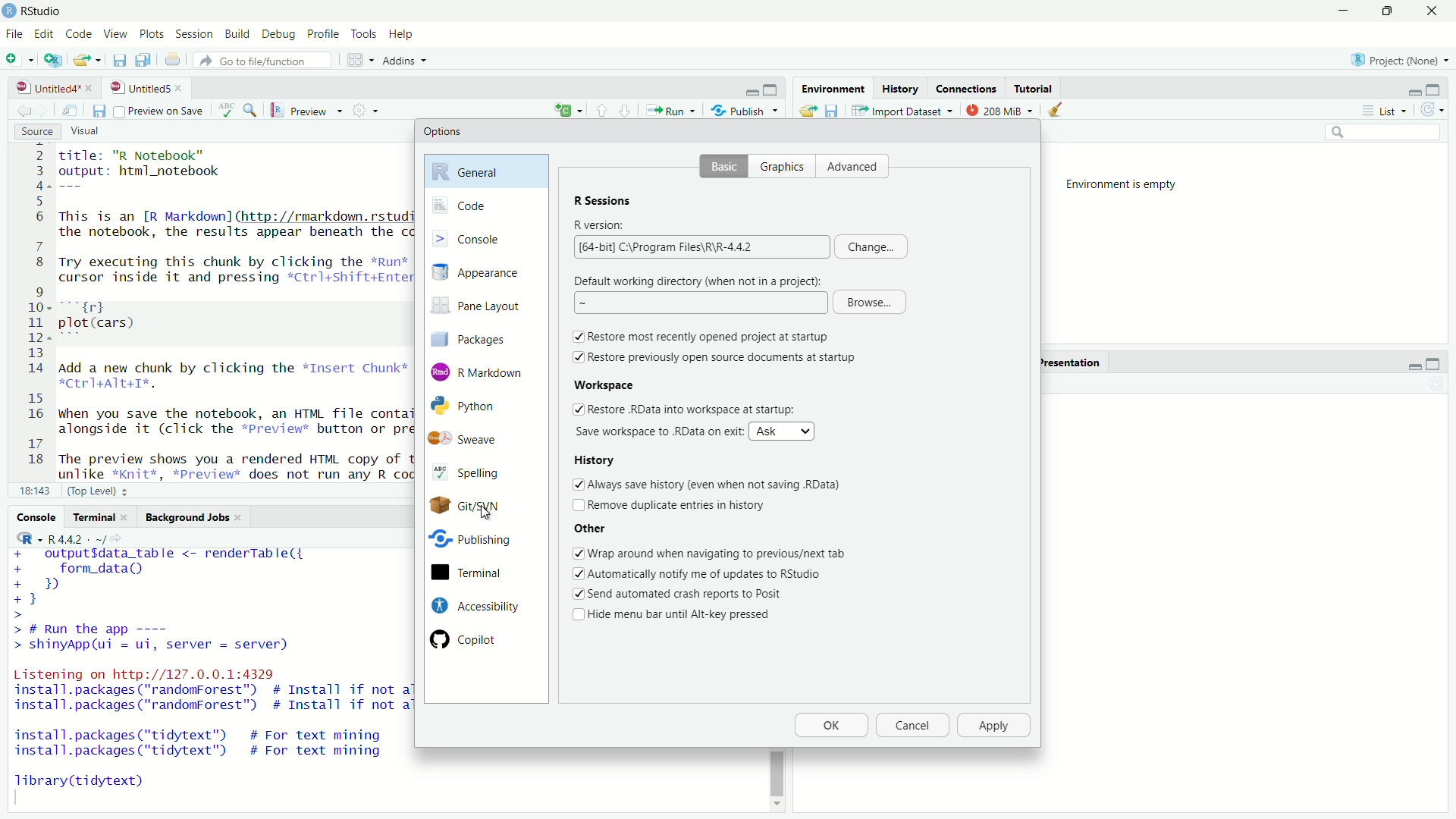 The width and height of the screenshot is (1456, 819). What do you see at coordinates (626, 109) in the screenshot?
I see `up` at bounding box center [626, 109].